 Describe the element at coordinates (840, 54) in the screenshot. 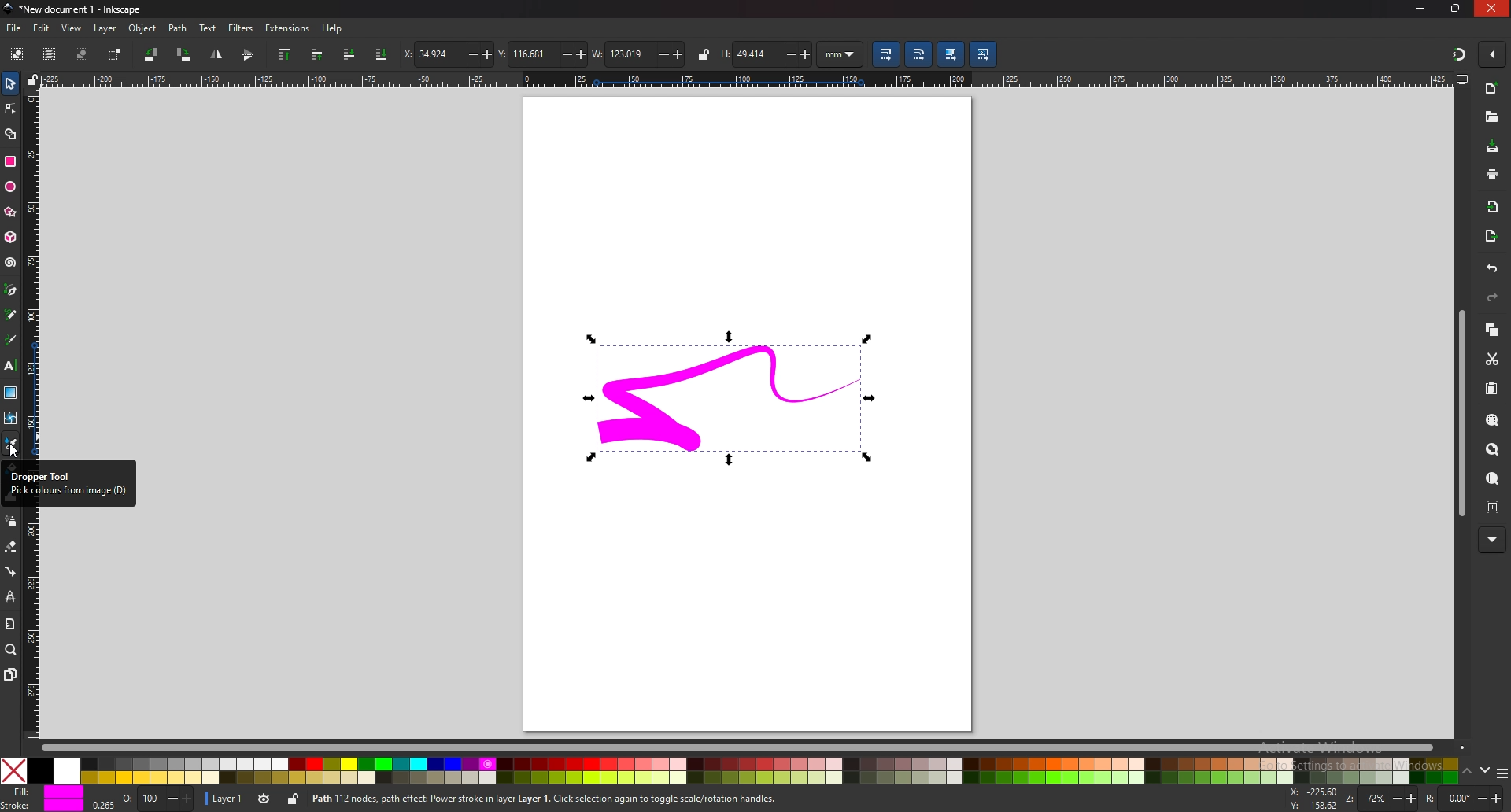

I see `unit` at that location.